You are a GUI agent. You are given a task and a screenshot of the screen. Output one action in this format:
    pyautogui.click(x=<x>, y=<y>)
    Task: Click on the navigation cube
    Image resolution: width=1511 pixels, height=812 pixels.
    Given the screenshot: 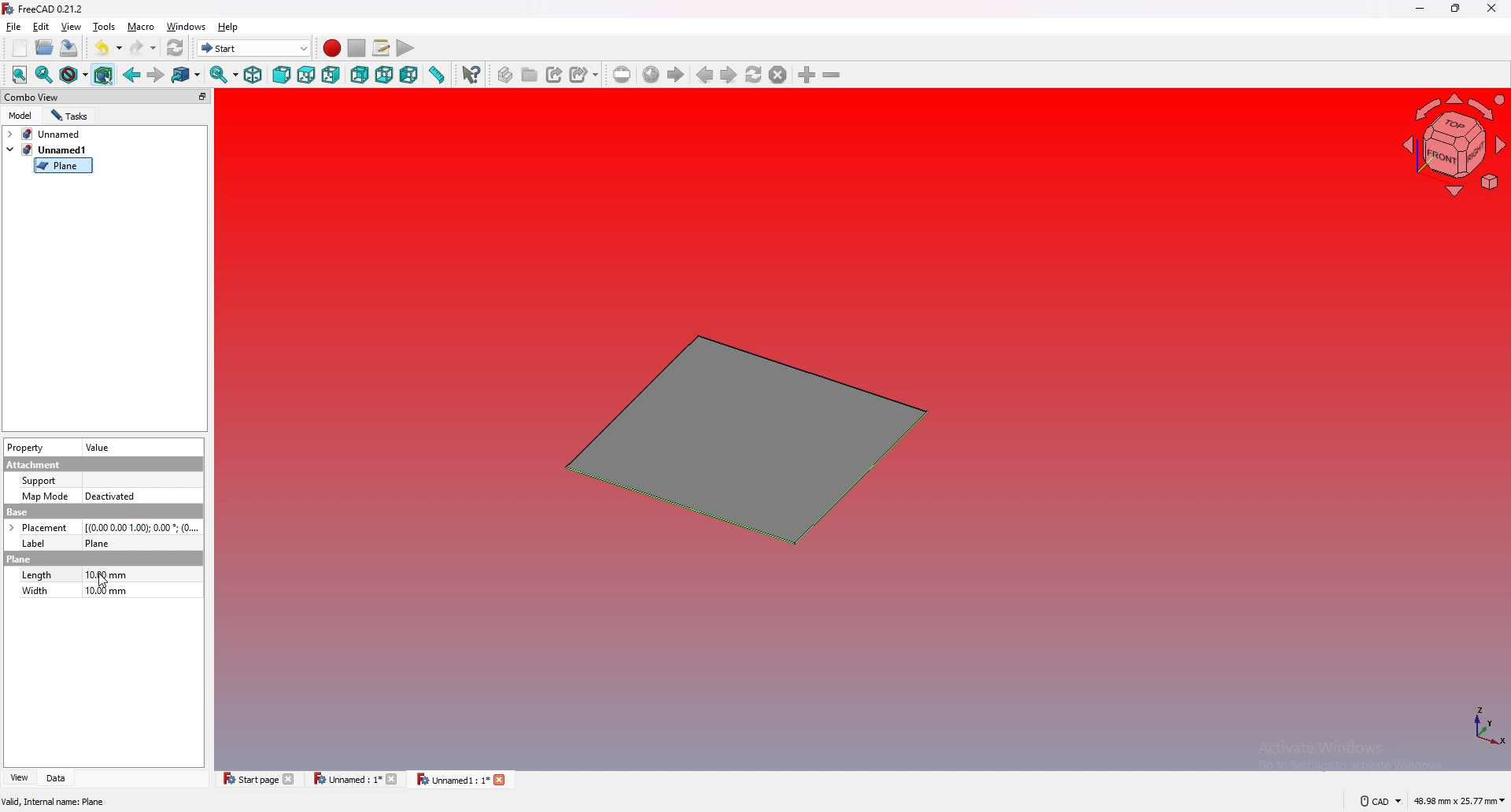 What is the action you would take?
    pyautogui.click(x=1452, y=146)
    